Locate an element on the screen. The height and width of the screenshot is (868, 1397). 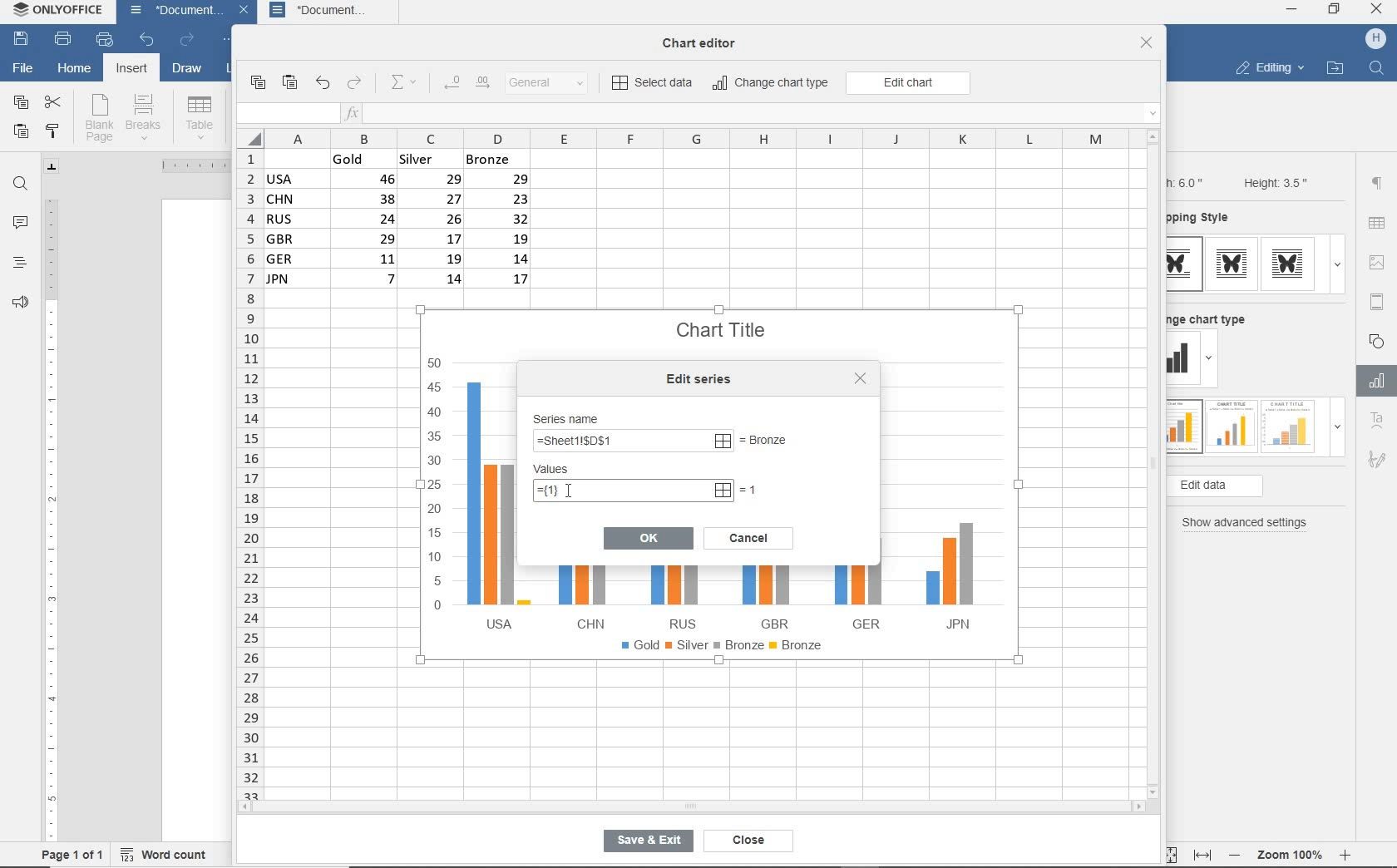
formula is located at coordinates (632, 442).